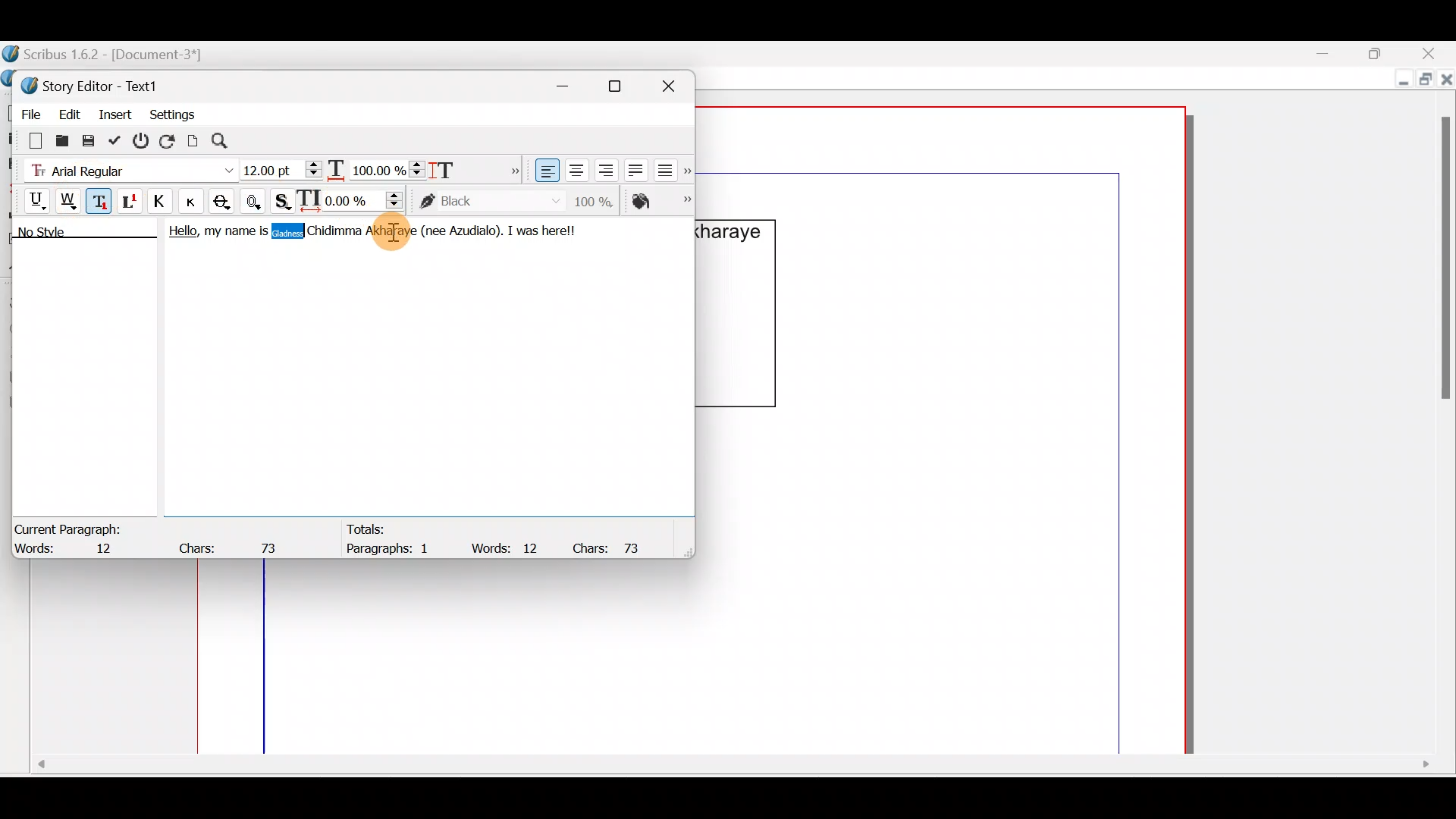 The width and height of the screenshot is (1456, 819). Describe the element at coordinates (195, 200) in the screenshot. I see `Small caps` at that location.